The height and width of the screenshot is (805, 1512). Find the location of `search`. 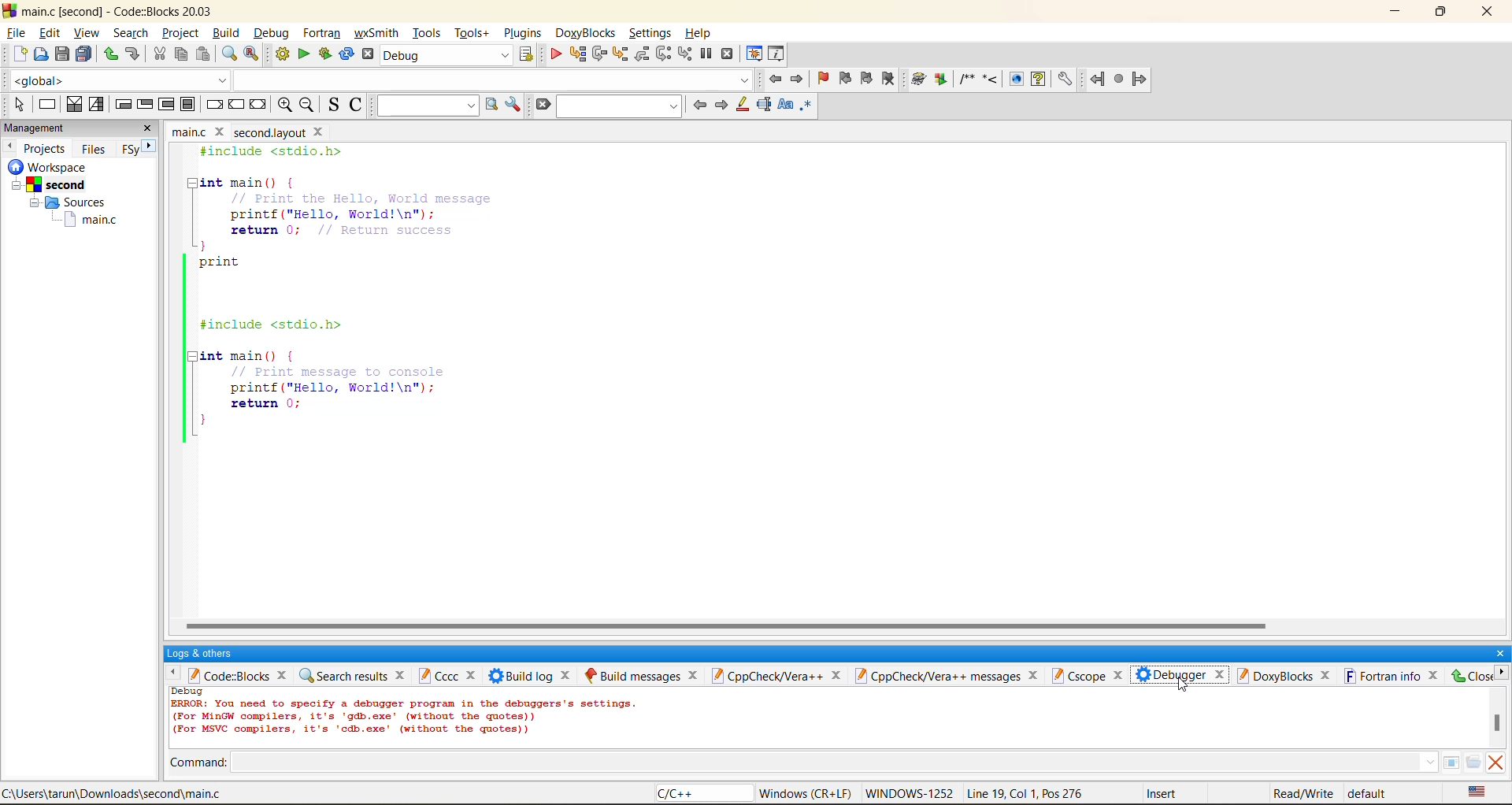

search is located at coordinates (128, 35).